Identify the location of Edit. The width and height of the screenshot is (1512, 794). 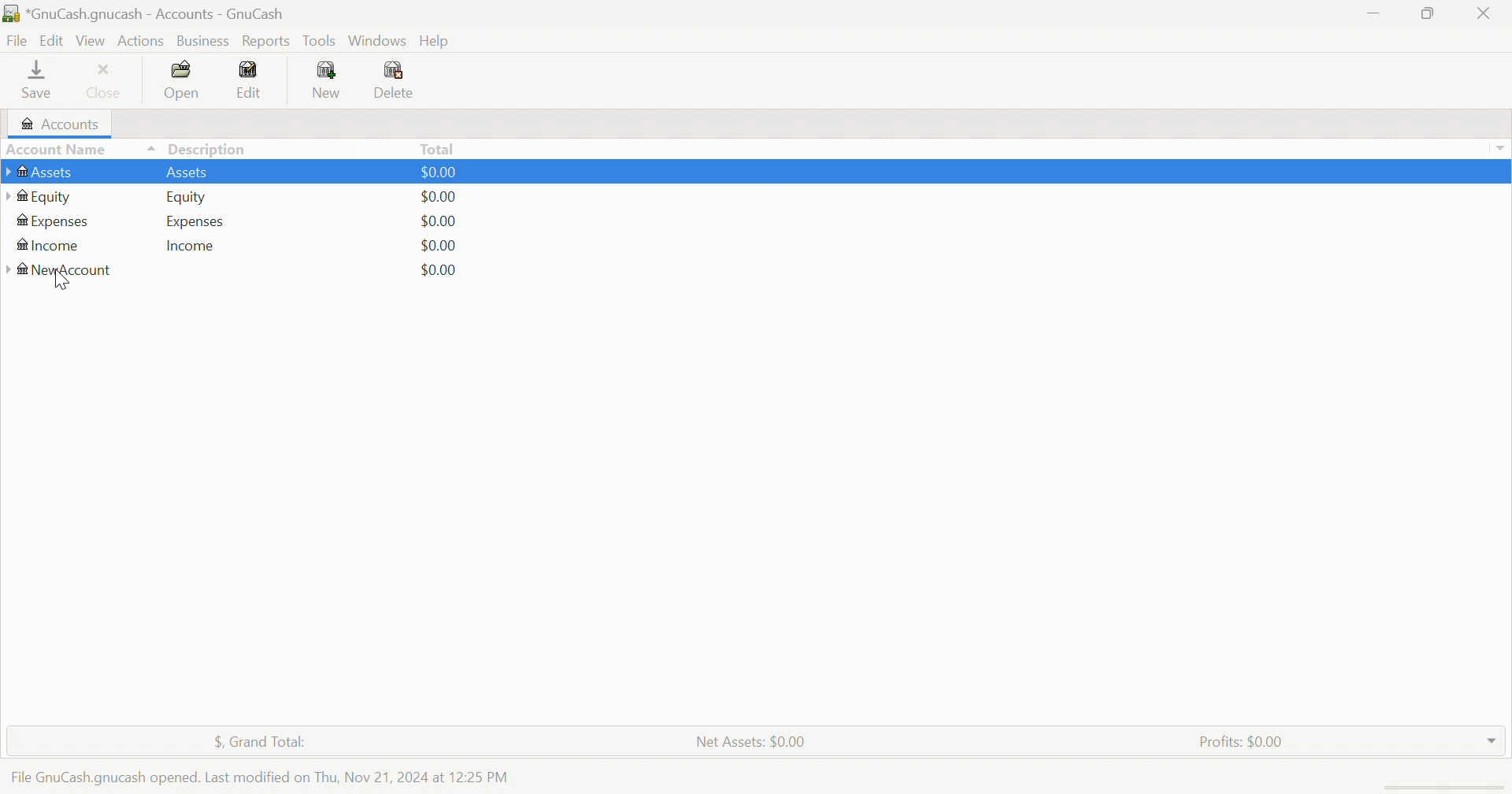
(54, 39).